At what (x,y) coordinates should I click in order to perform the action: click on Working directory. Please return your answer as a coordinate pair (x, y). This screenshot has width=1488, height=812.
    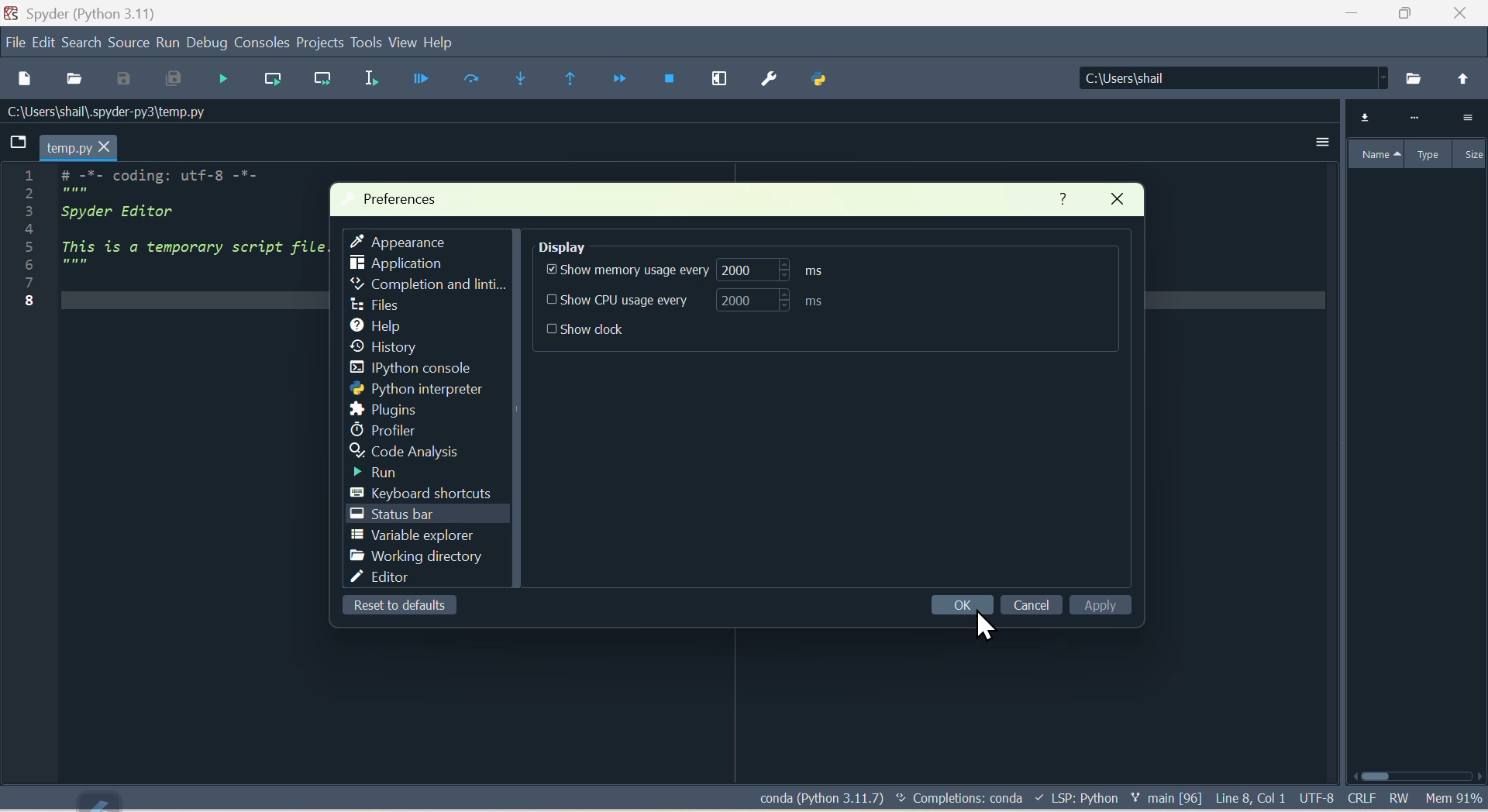
    Looking at the image, I should click on (412, 558).